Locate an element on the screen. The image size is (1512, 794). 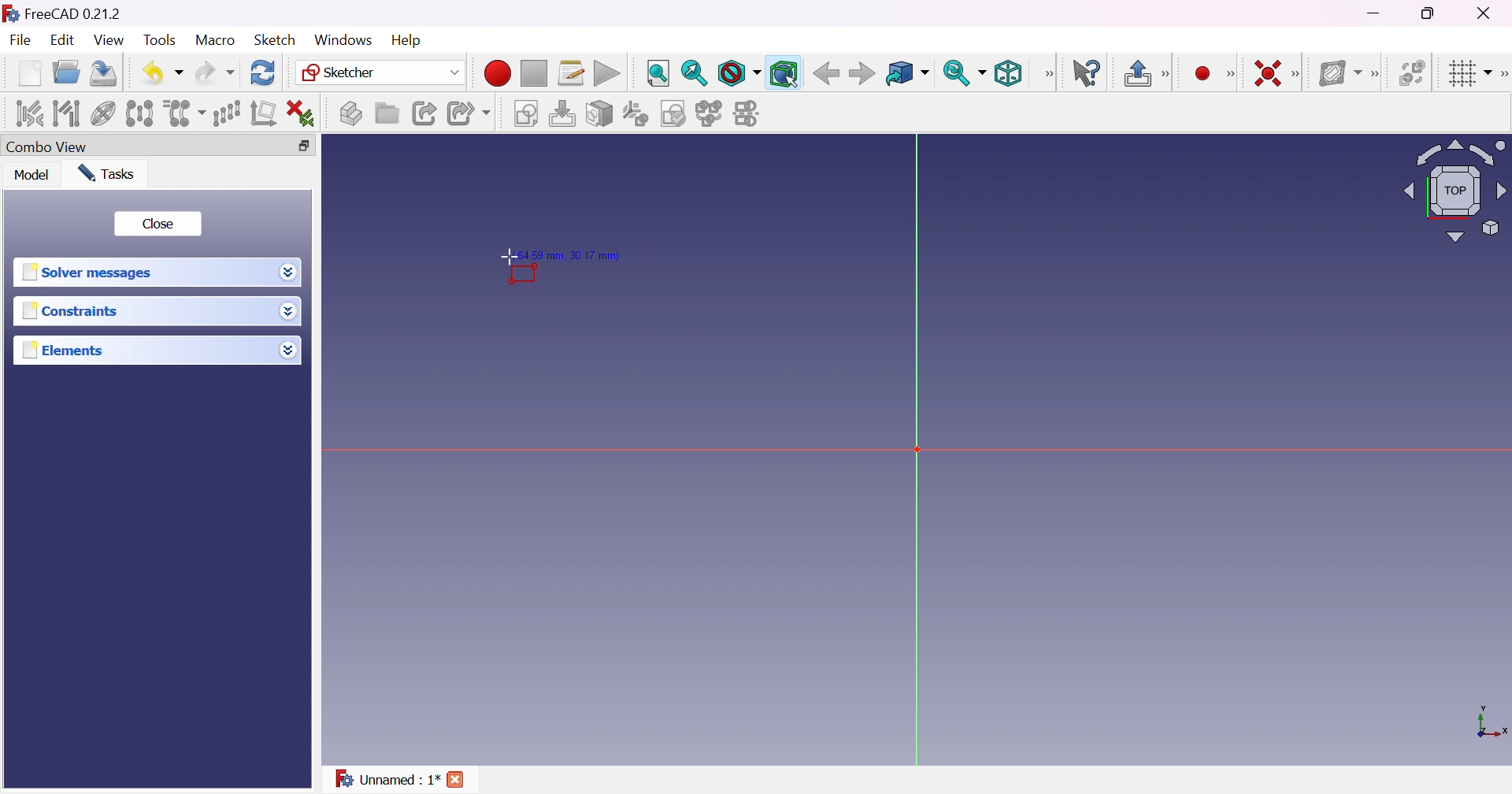
Execute macro is located at coordinates (607, 74).